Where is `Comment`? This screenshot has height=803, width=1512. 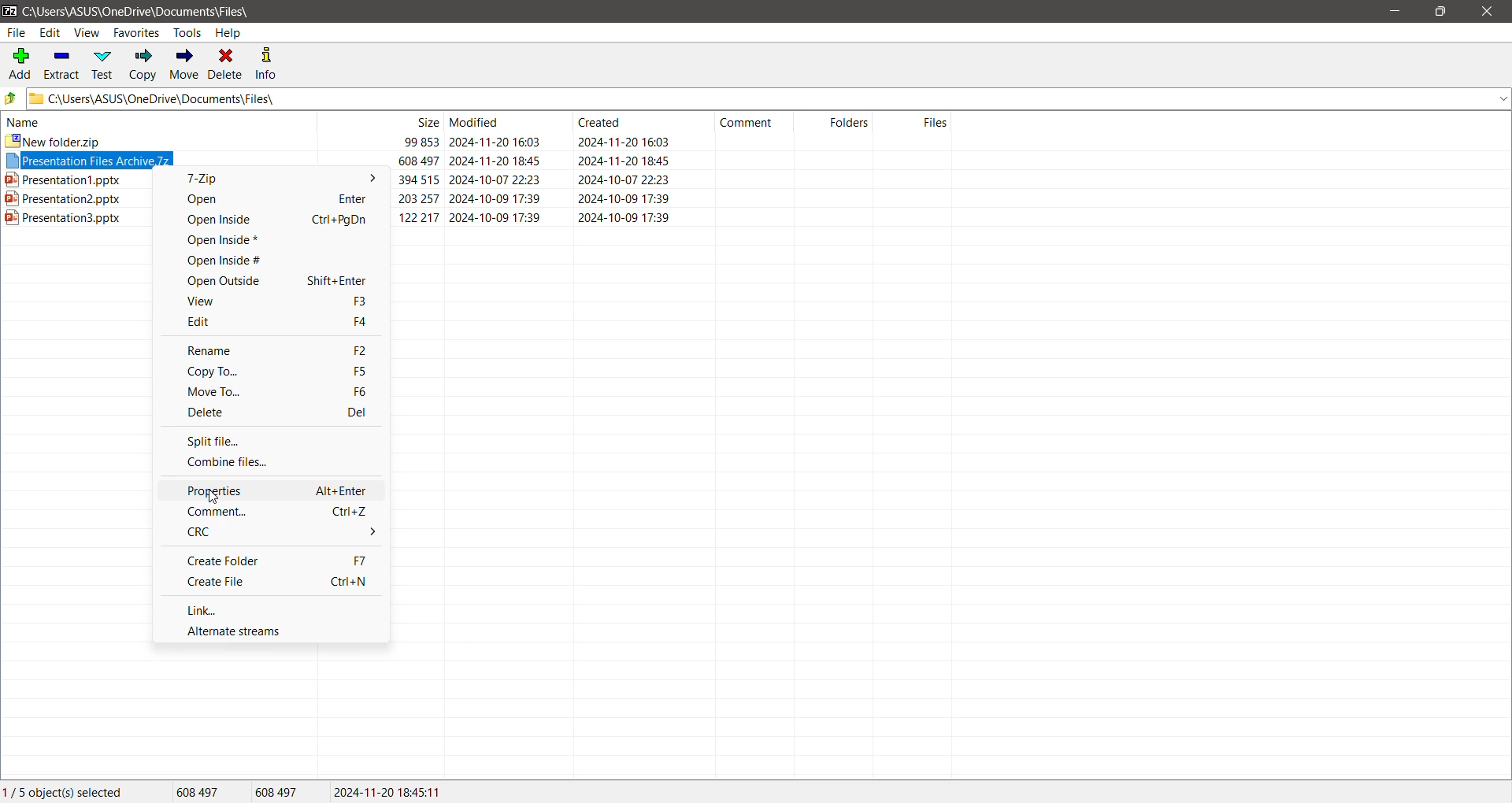
Comment is located at coordinates (213, 512).